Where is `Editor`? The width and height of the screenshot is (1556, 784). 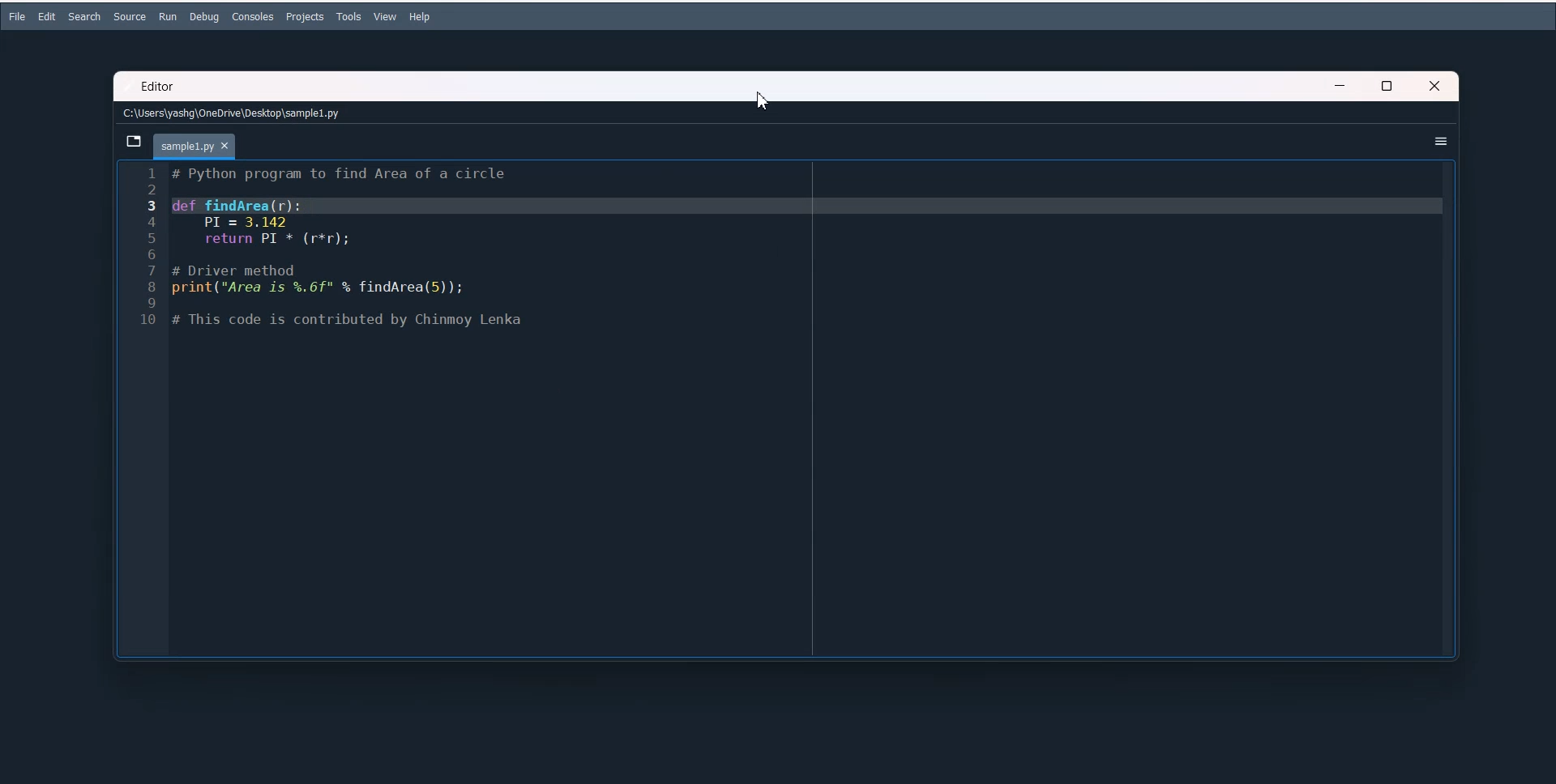 Editor is located at coordinates (156, 87).